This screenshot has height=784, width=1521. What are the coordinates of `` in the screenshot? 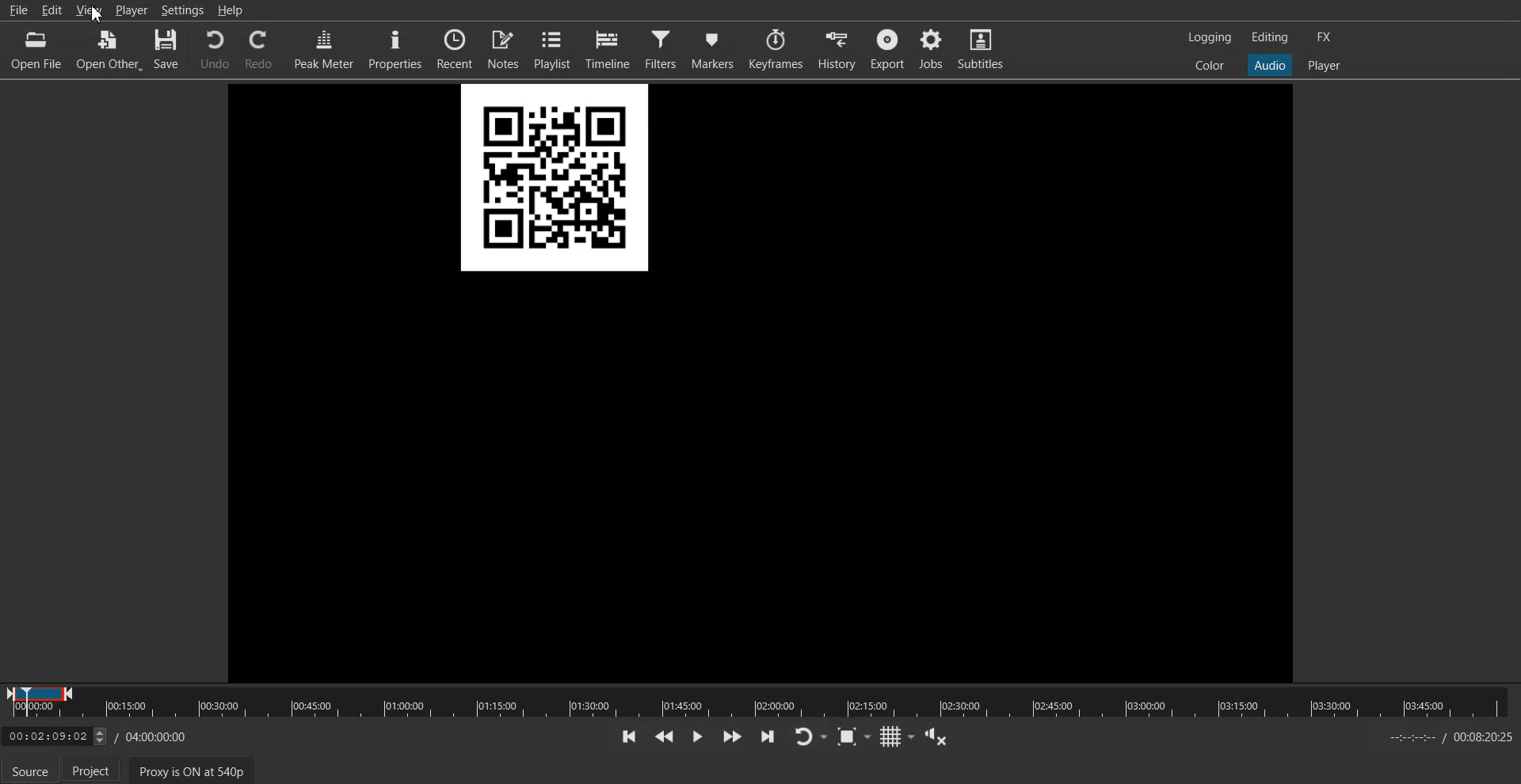 It's located at (932, 50).